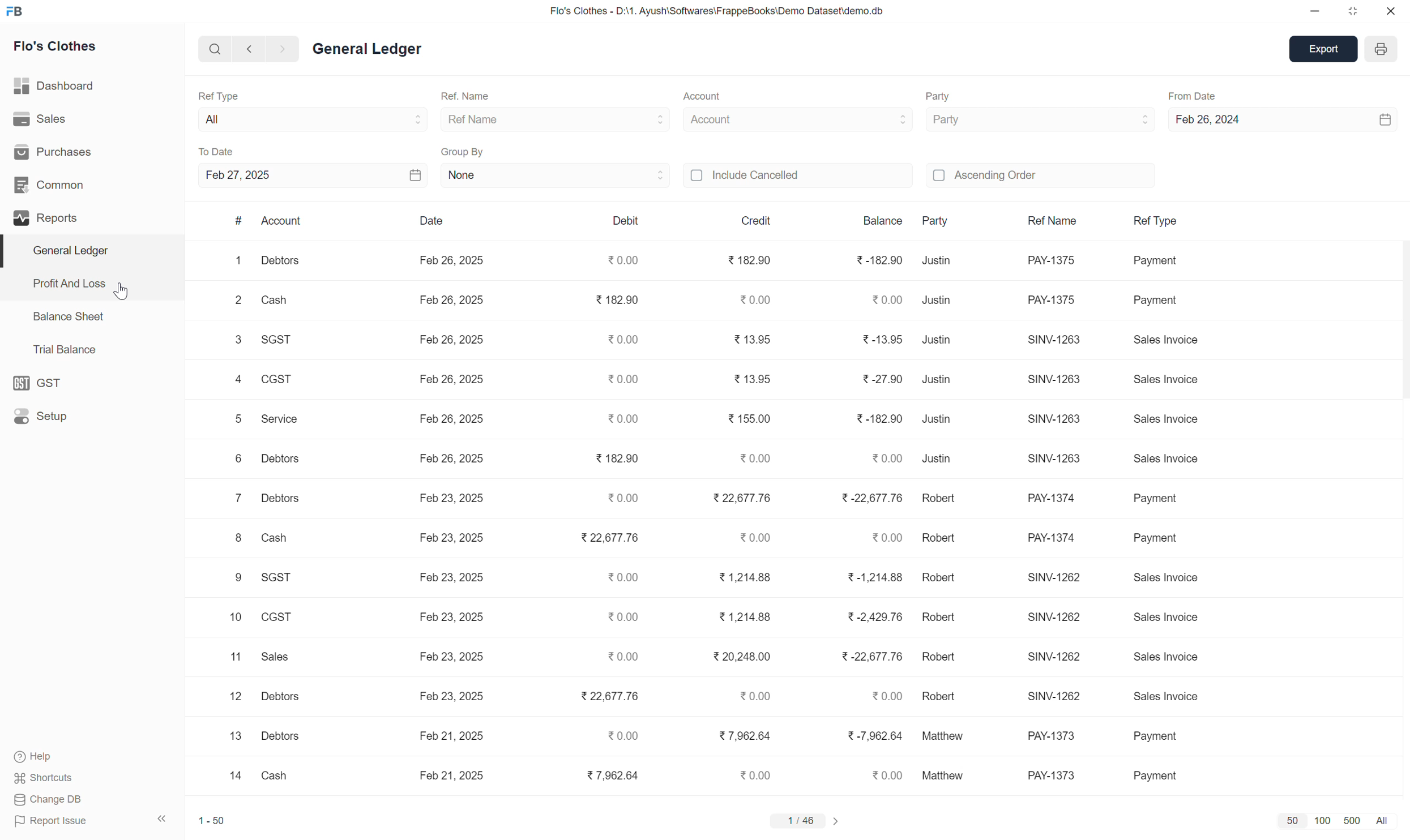  Describe the element at coordinates (613, 300) in the screenshot. I see `₹182.90` at that location.